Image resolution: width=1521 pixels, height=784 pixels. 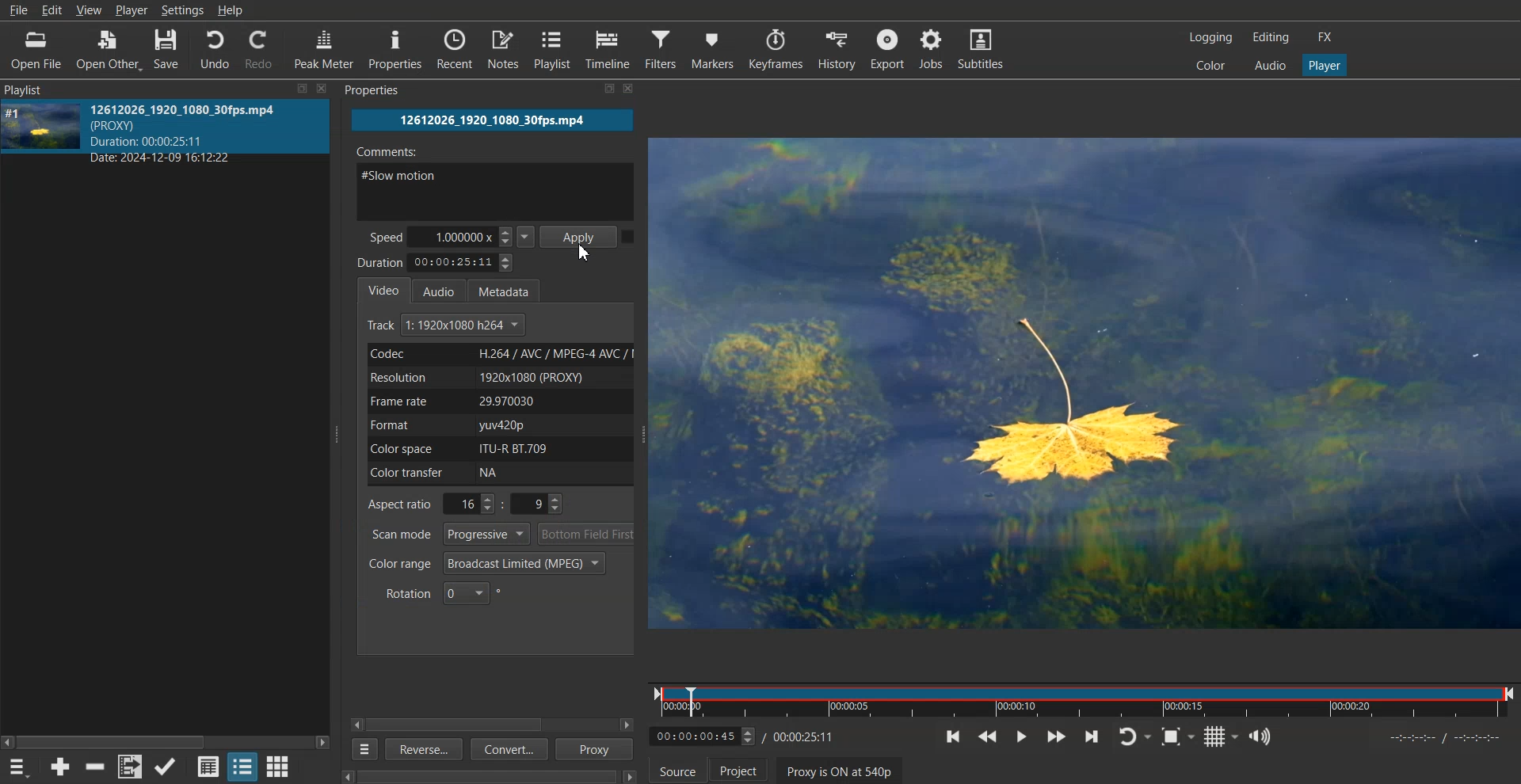 I want to click on Filters, so click(x=661, y=48).